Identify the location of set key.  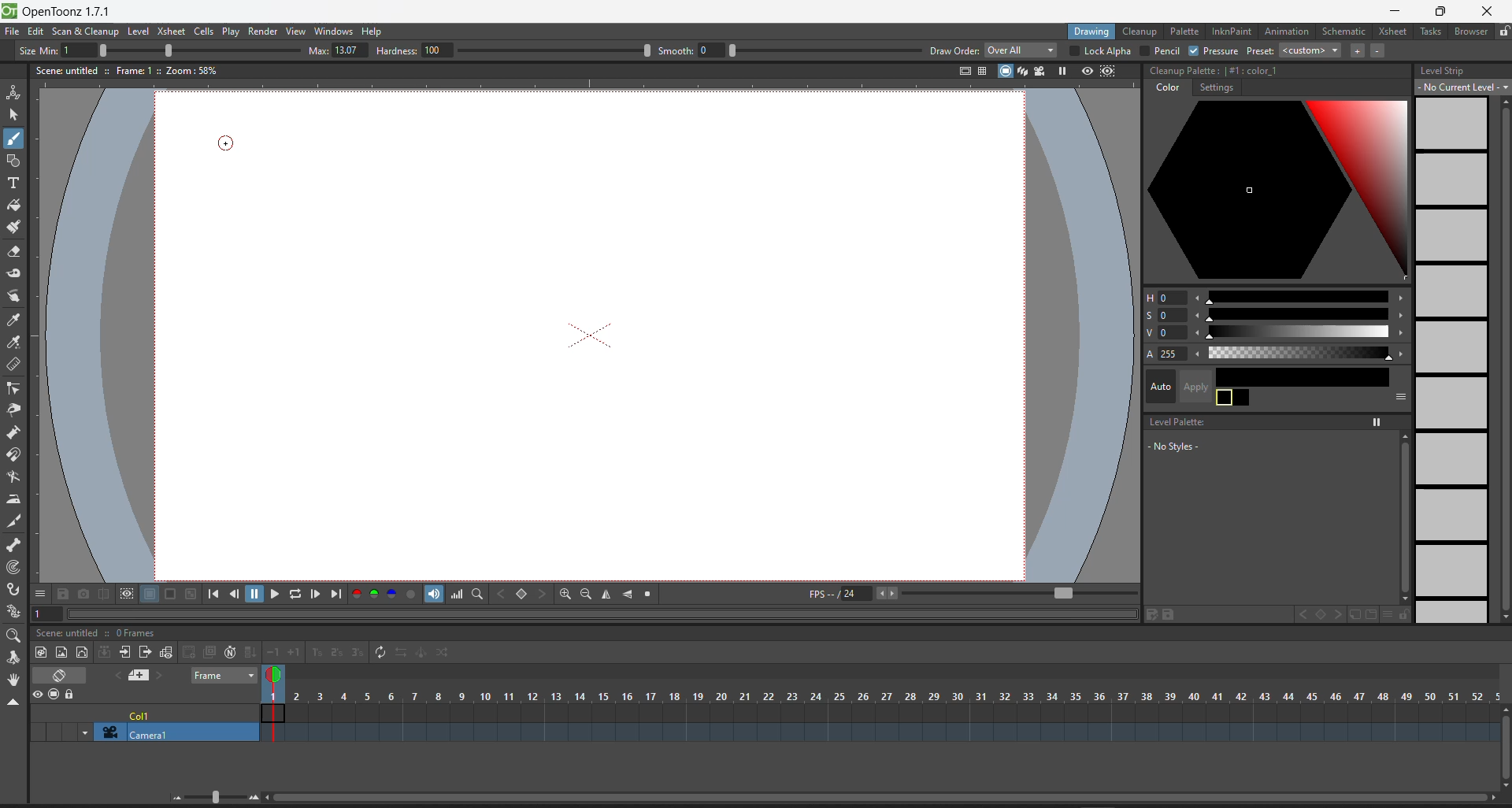
(521, 594).